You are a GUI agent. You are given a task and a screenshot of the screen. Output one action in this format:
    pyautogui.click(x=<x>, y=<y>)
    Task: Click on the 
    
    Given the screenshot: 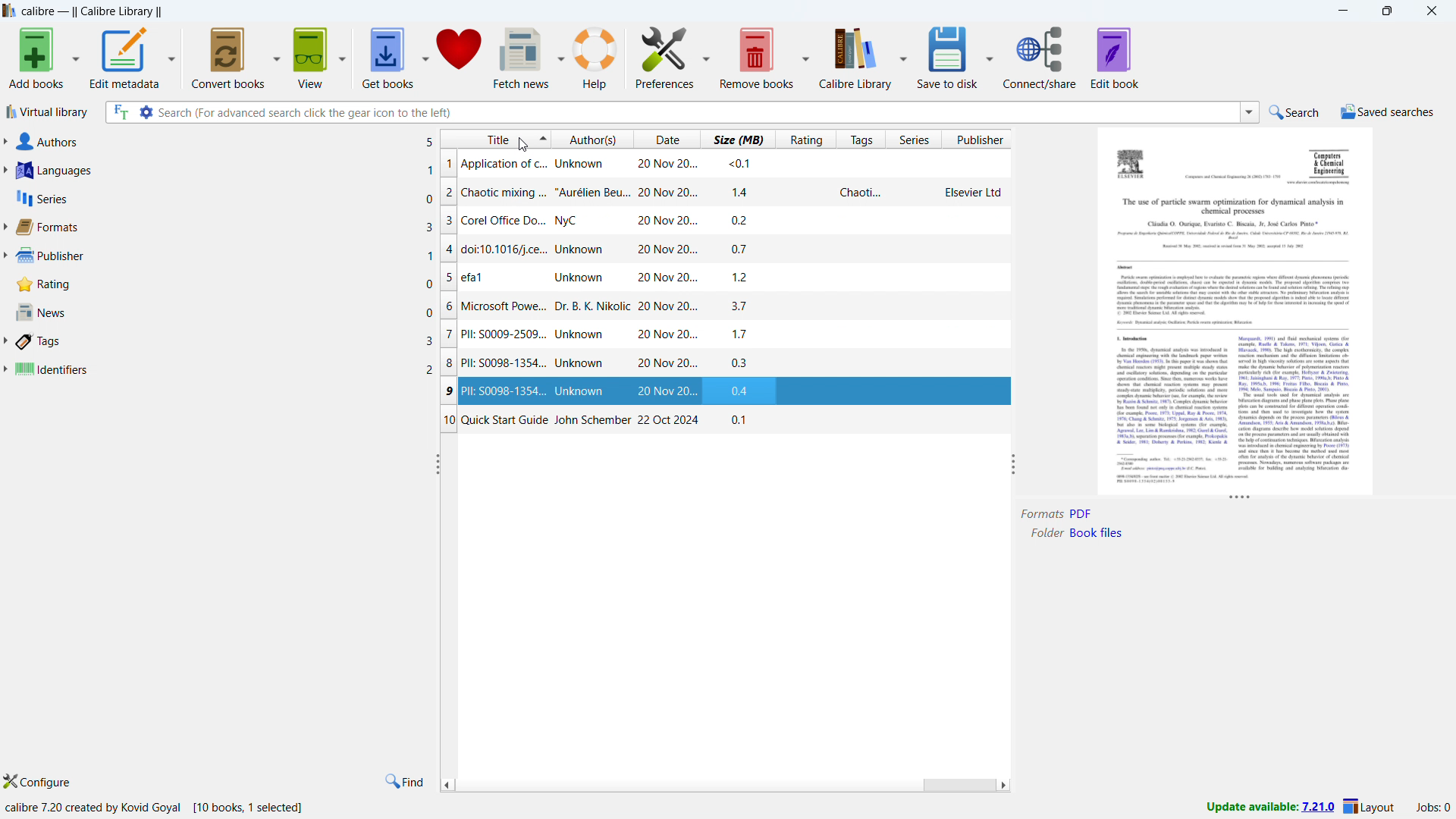 What is the action you would take?
    pyautogui.click(x=1144, y=338)
    